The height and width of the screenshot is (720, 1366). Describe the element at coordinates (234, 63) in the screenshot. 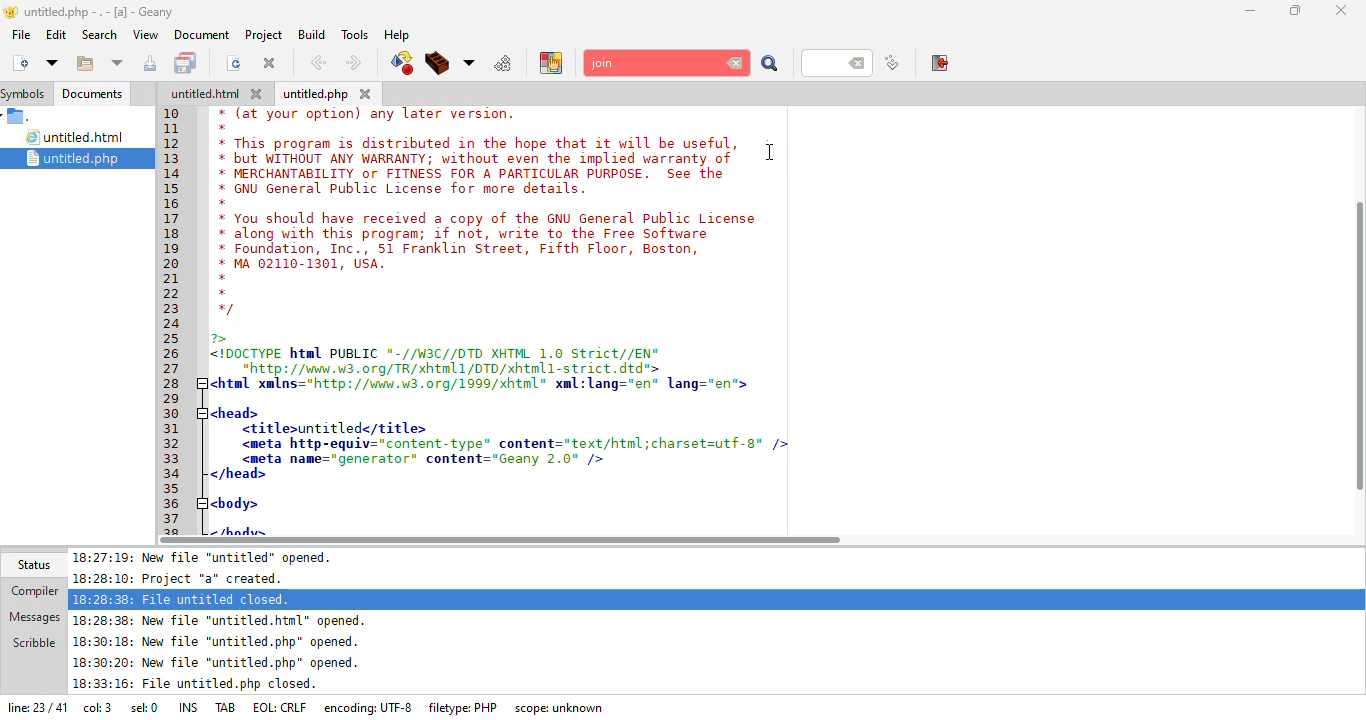

I see `reload` at that location.